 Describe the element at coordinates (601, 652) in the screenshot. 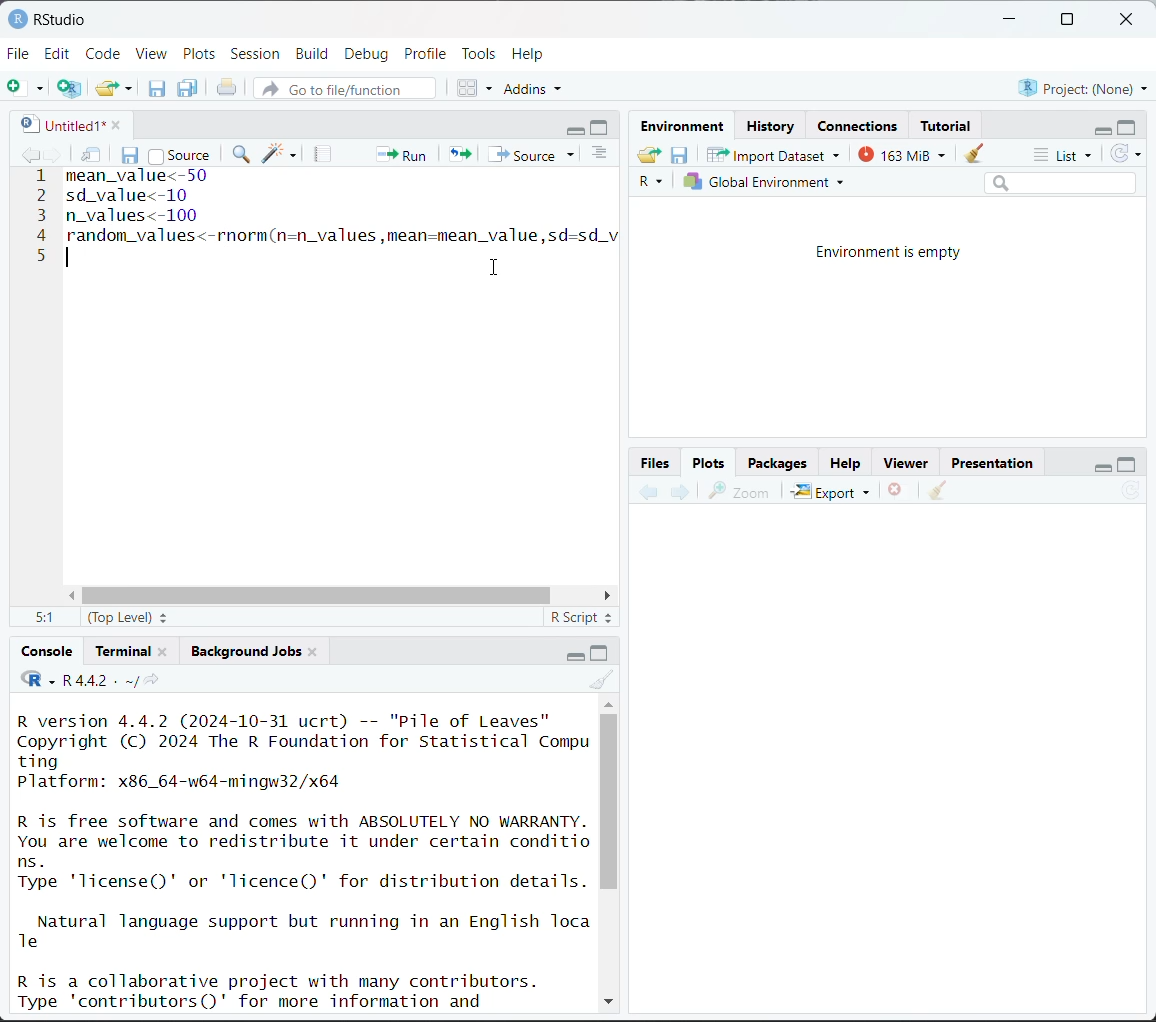

I see `maximize` at that location.